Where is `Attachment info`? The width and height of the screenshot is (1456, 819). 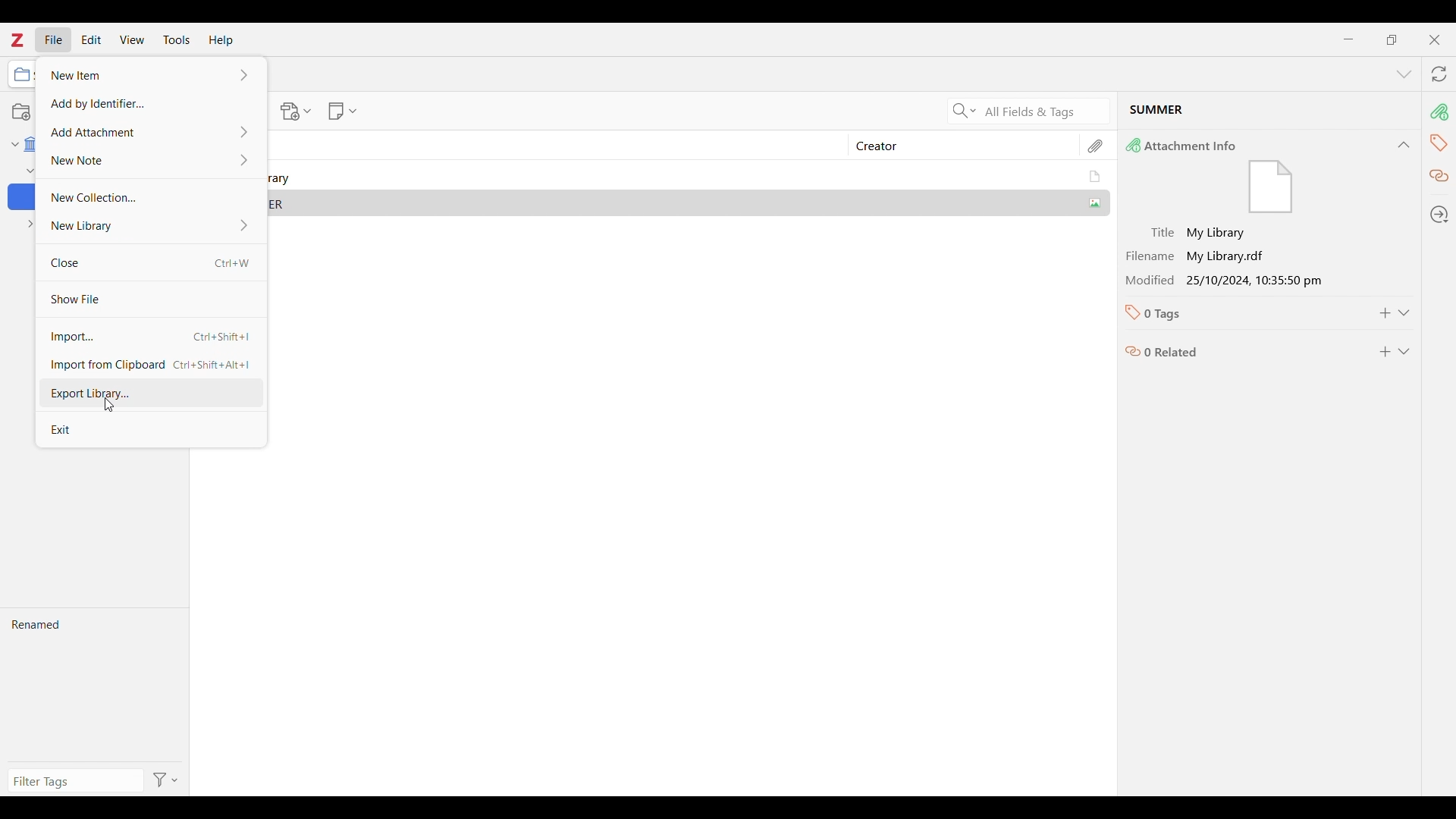
Attachment info is located at coordinates (1441, 112).